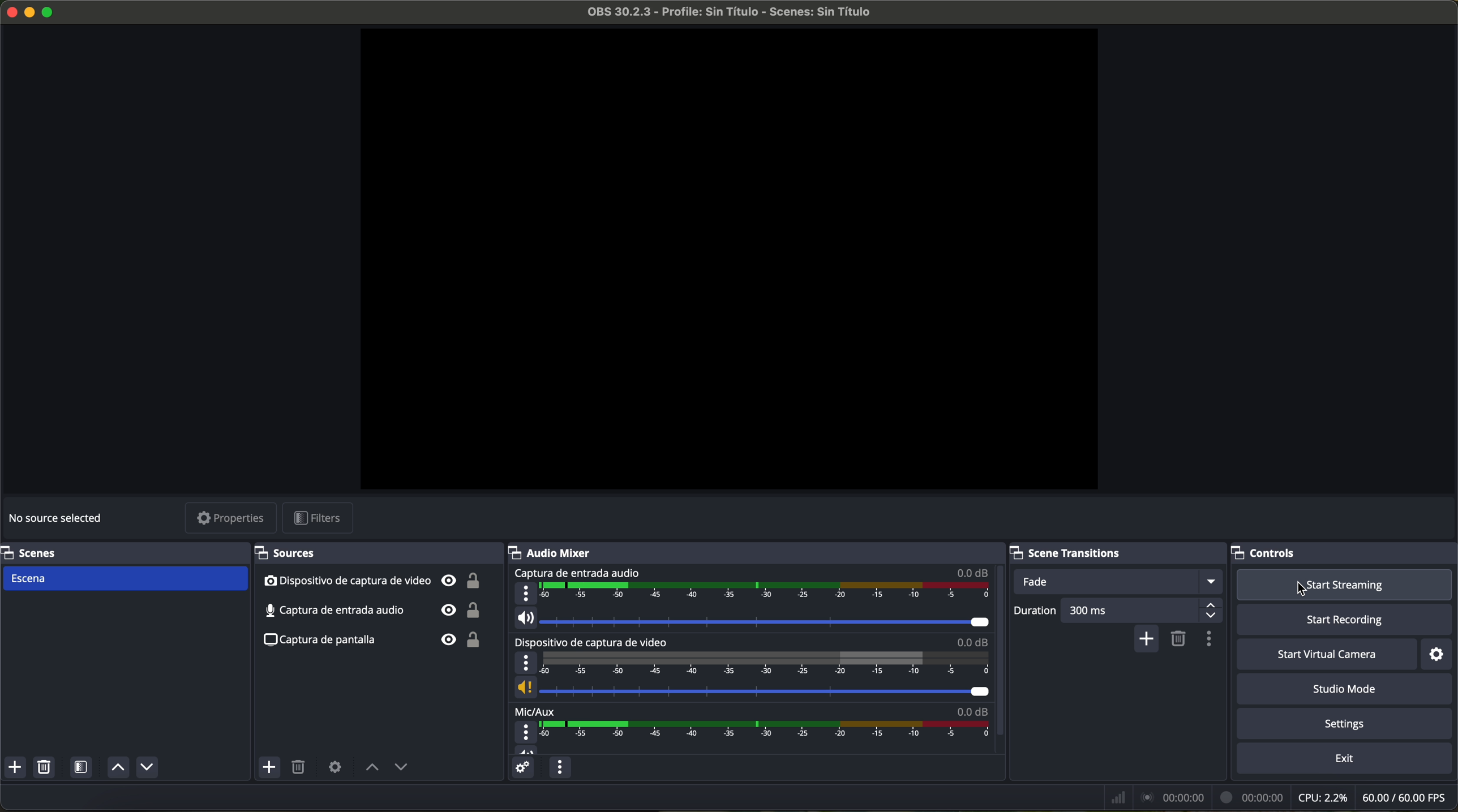 This screenshot has width=1458, height=812. What do you see at coordinates (121, 552) in the screenshot?
I see `scenes` at bounding box center [121, 552].